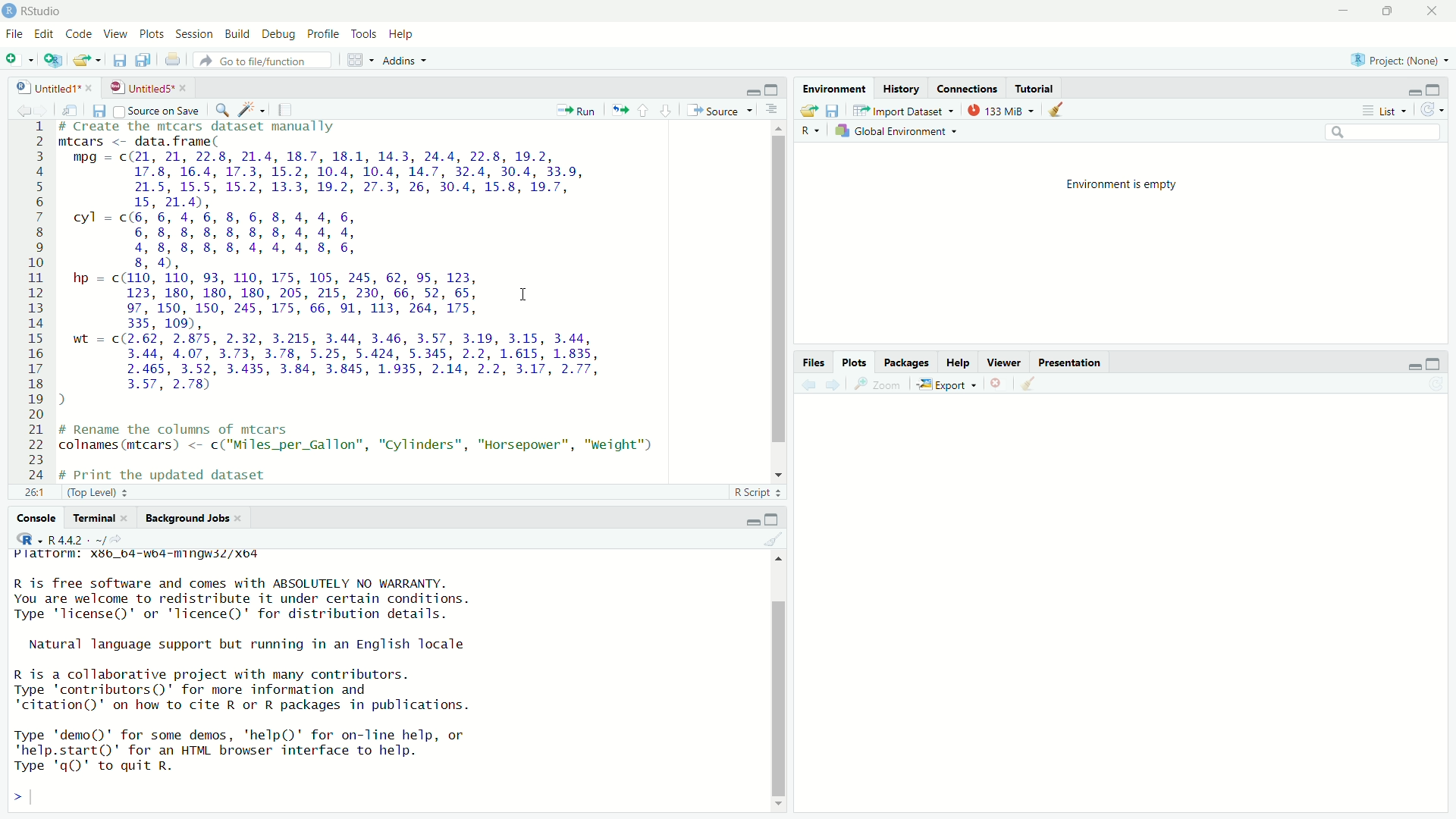 The image size is (1456, 819). I want to click on export, so click(805, 109).